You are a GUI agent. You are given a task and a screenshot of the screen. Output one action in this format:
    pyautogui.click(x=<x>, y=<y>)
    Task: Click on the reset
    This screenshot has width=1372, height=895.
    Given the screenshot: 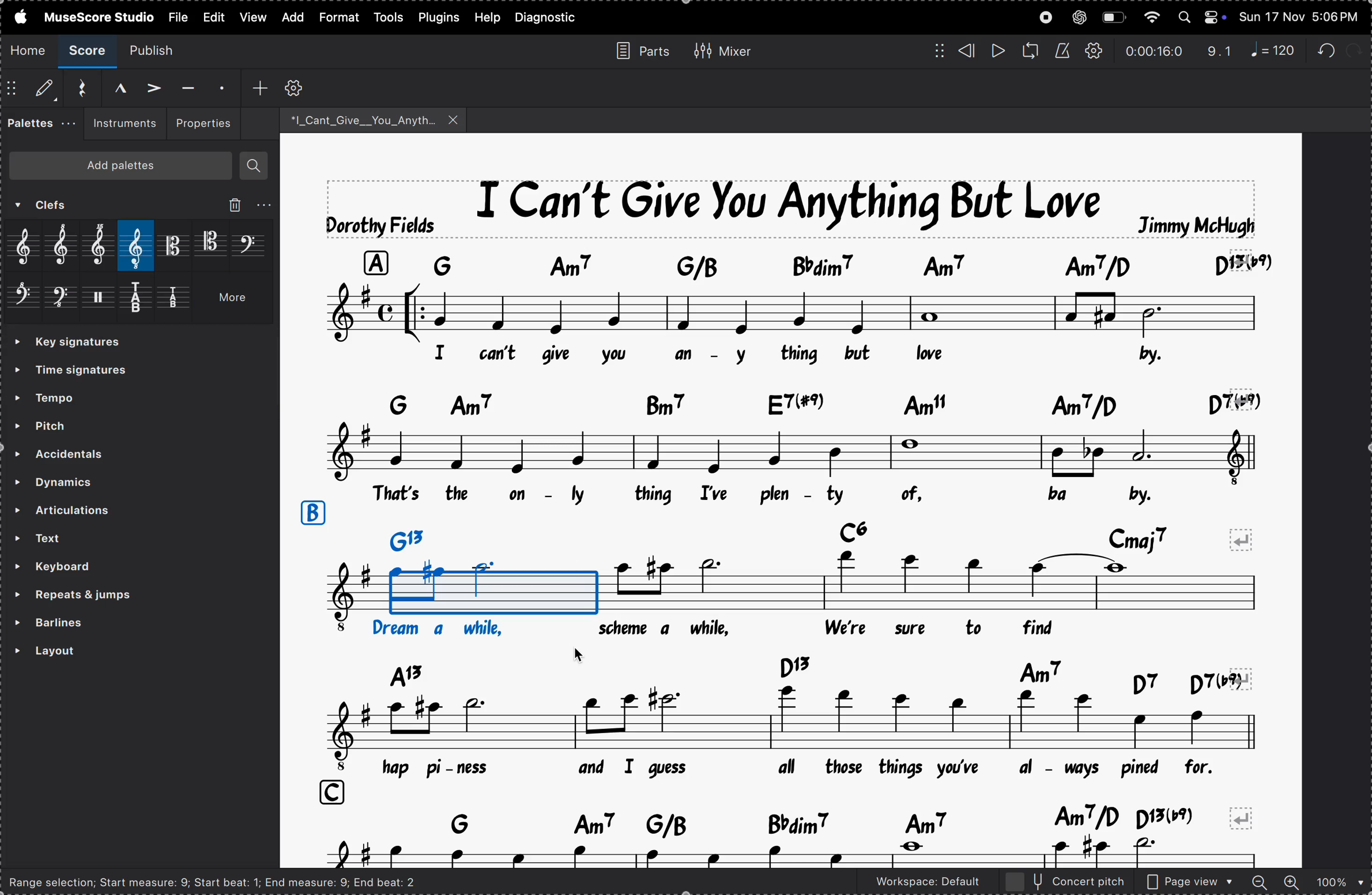 What is the action you would take?
    pyautogui.click(x=77, y=88)
    